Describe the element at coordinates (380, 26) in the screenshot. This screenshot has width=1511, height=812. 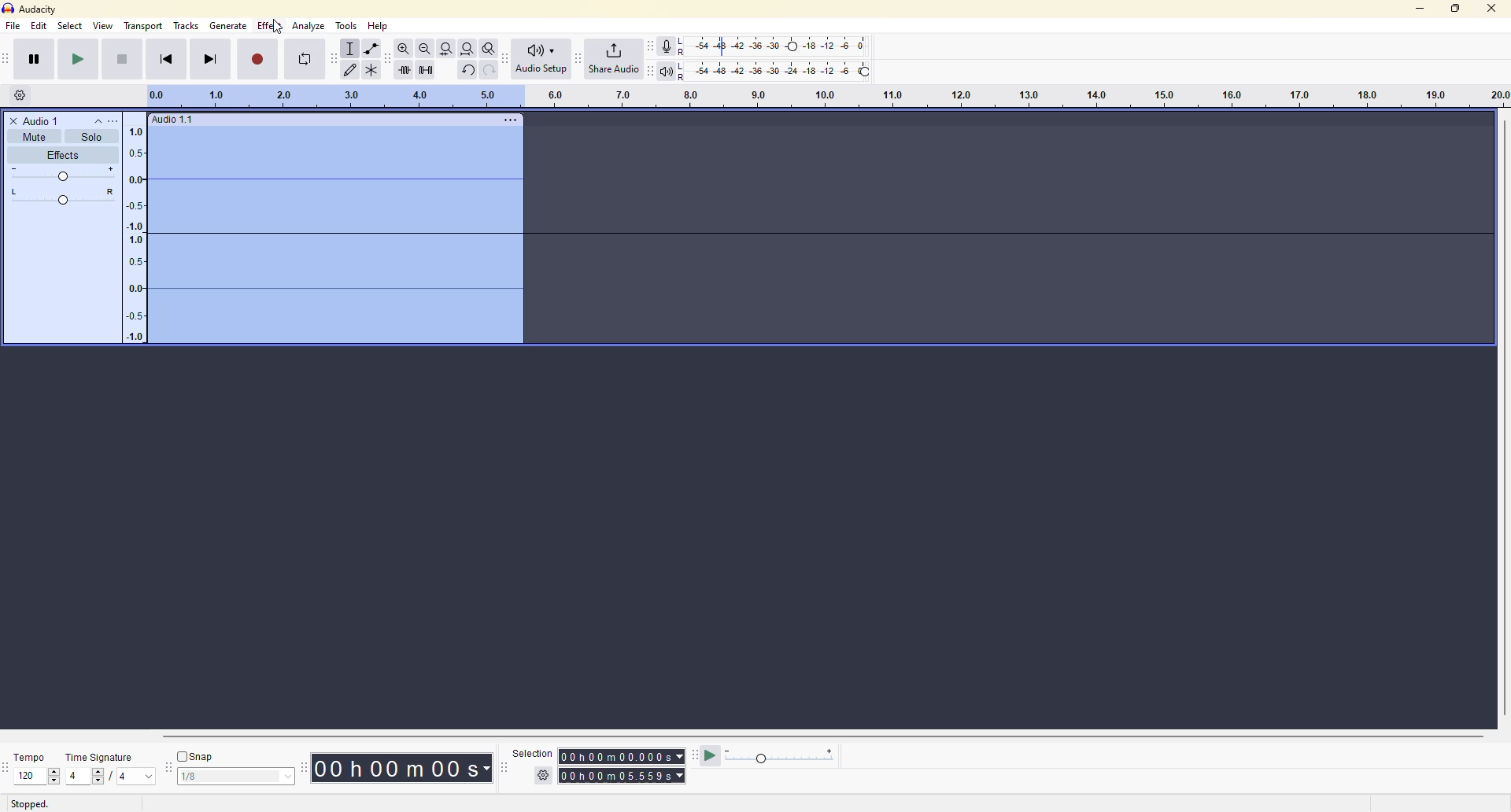
I see `help` at that location.